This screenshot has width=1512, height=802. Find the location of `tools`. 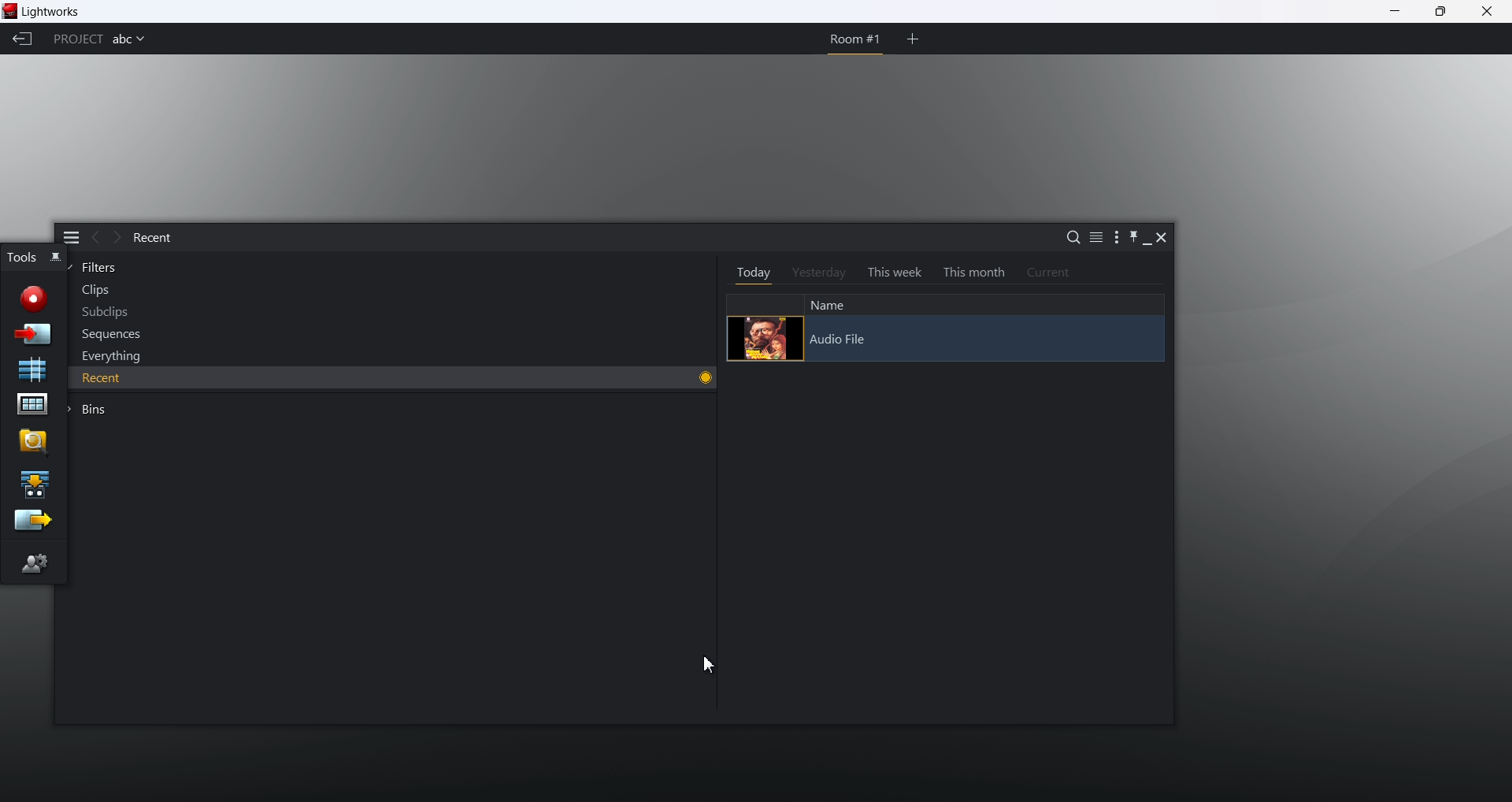

tools is located at coordinates (21, 256).